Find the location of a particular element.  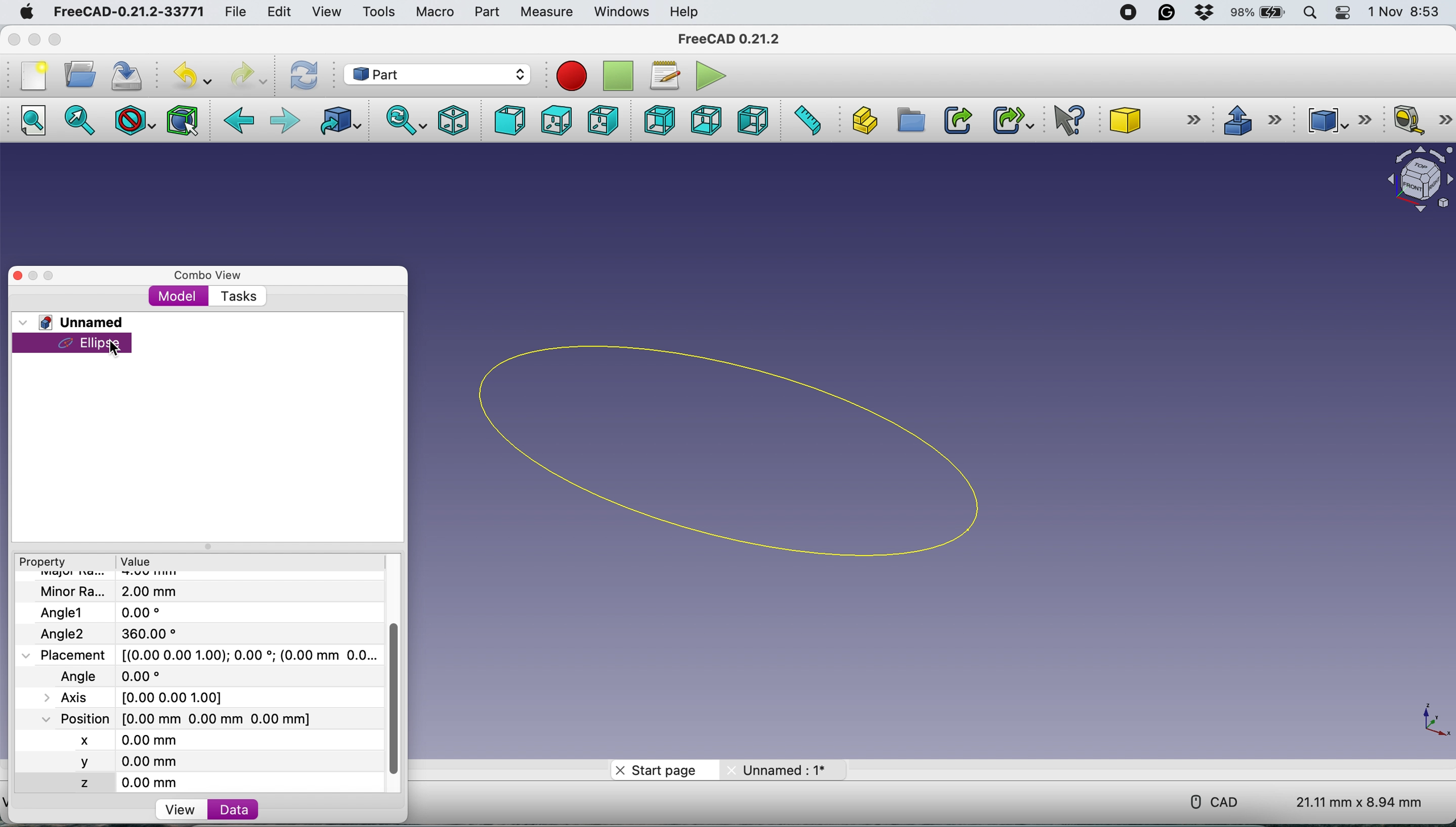

ellipse selected is located at coordinates (75, 344).